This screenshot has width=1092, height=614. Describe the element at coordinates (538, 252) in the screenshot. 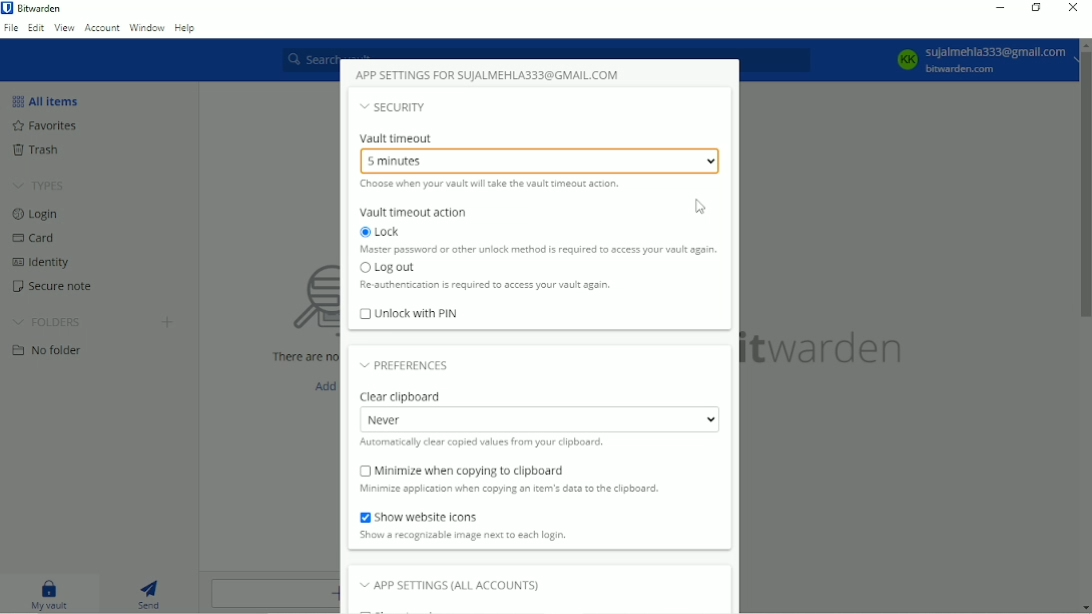

I see `Master password or other unlock method is required to unlock your vault again.` at that location.